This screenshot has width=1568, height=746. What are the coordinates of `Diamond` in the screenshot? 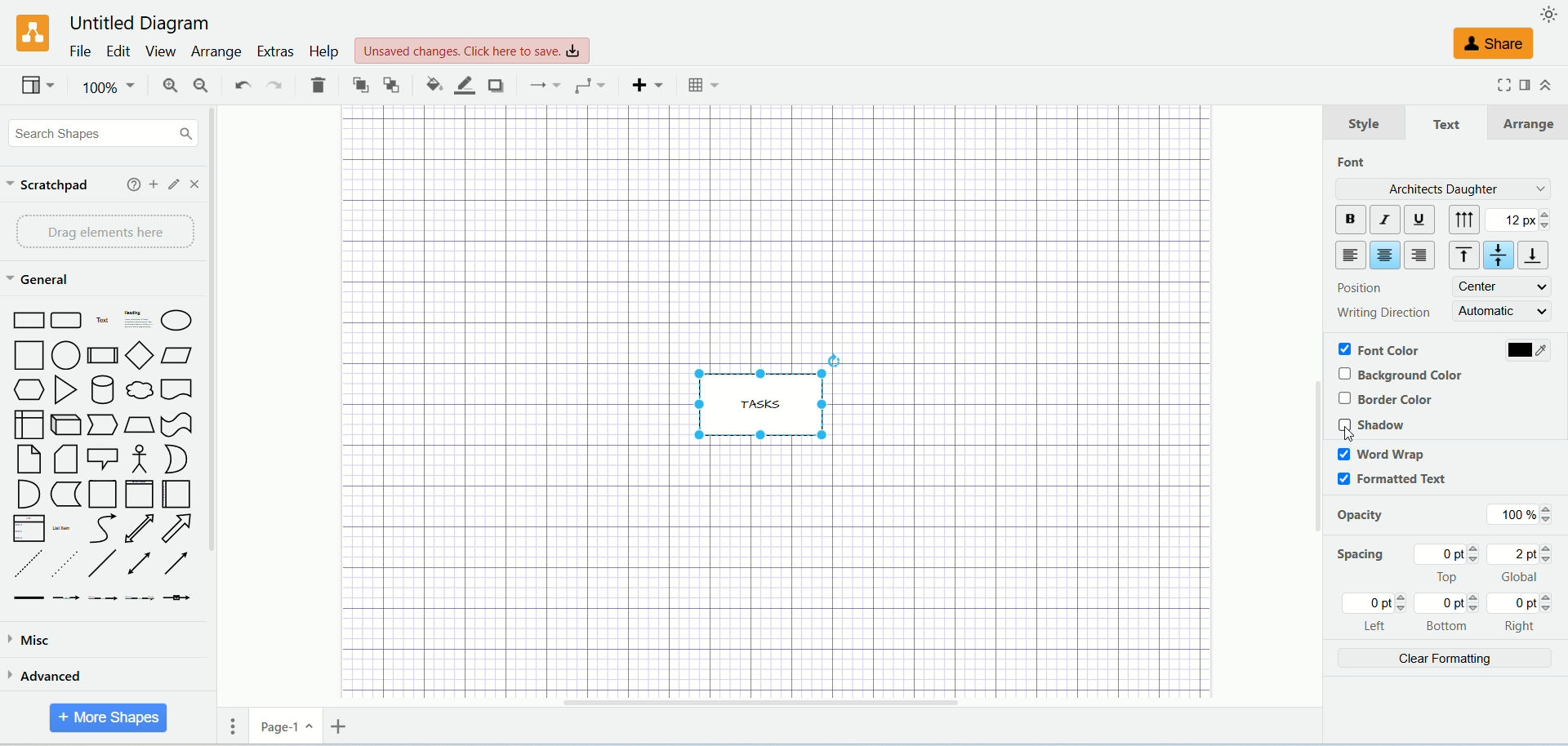 It's located at (139, 355).